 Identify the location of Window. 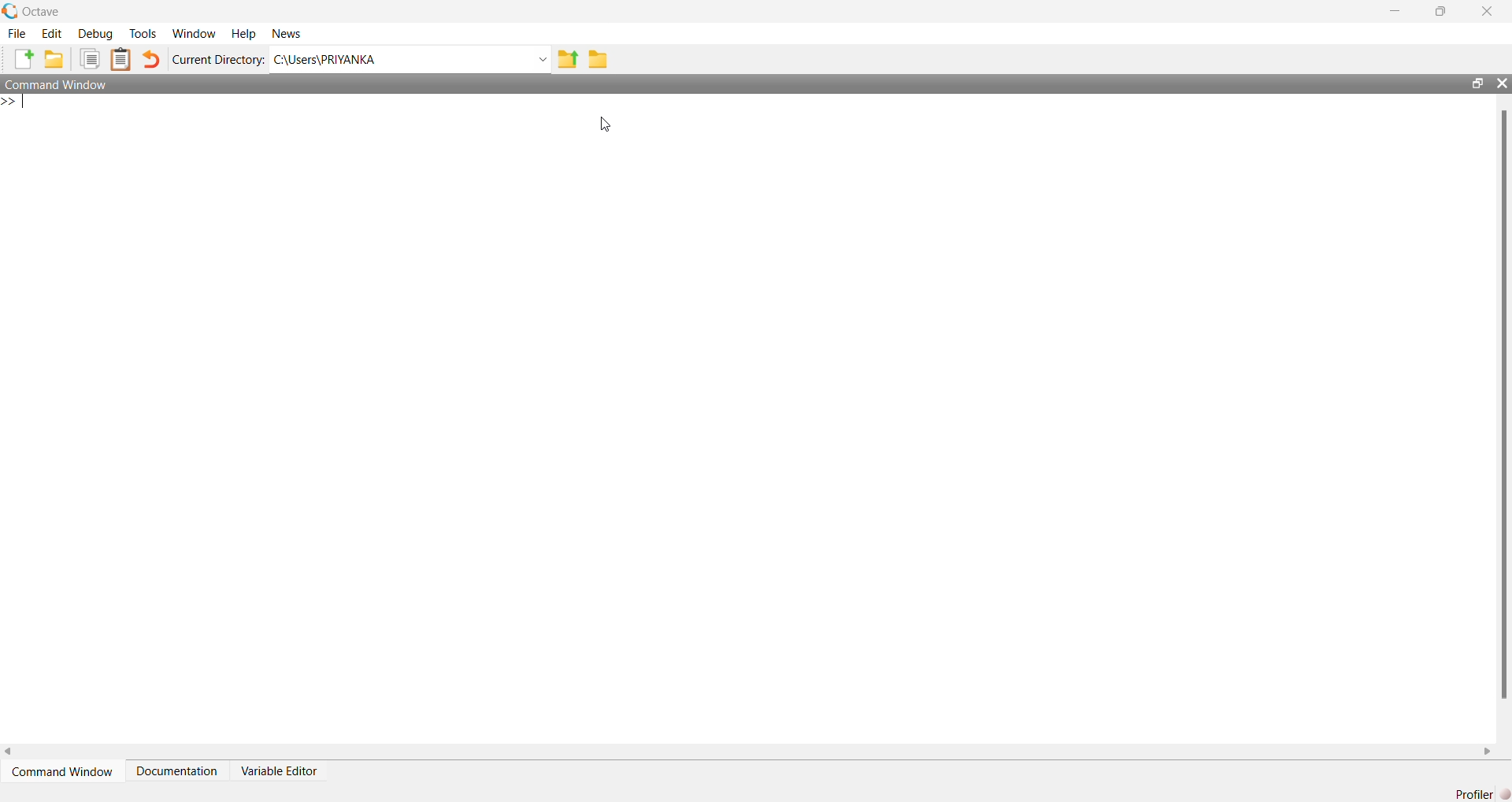
(196, 34).